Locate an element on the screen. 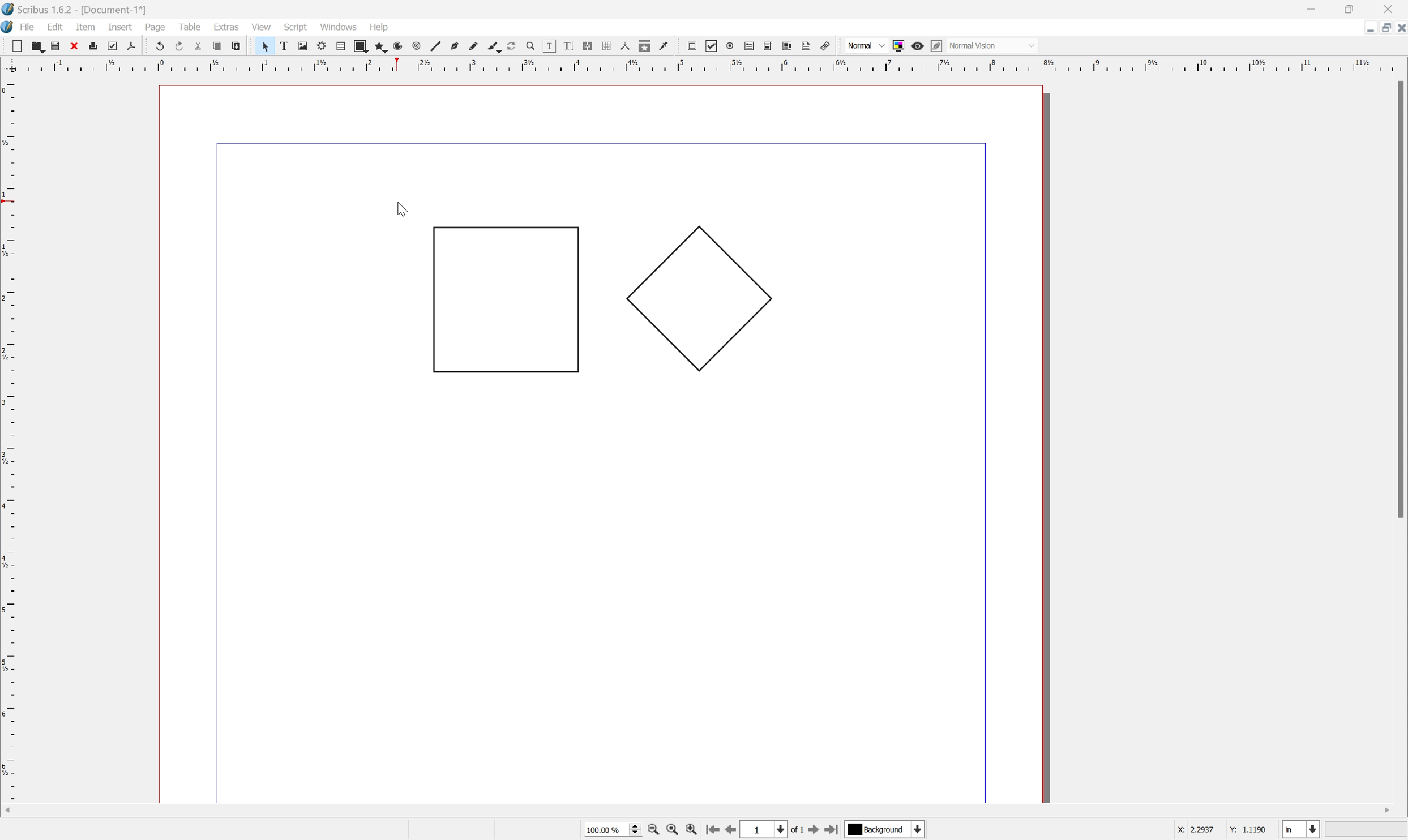 The image size is (1408, 840). Ruler is located at coordinates (706, 63).